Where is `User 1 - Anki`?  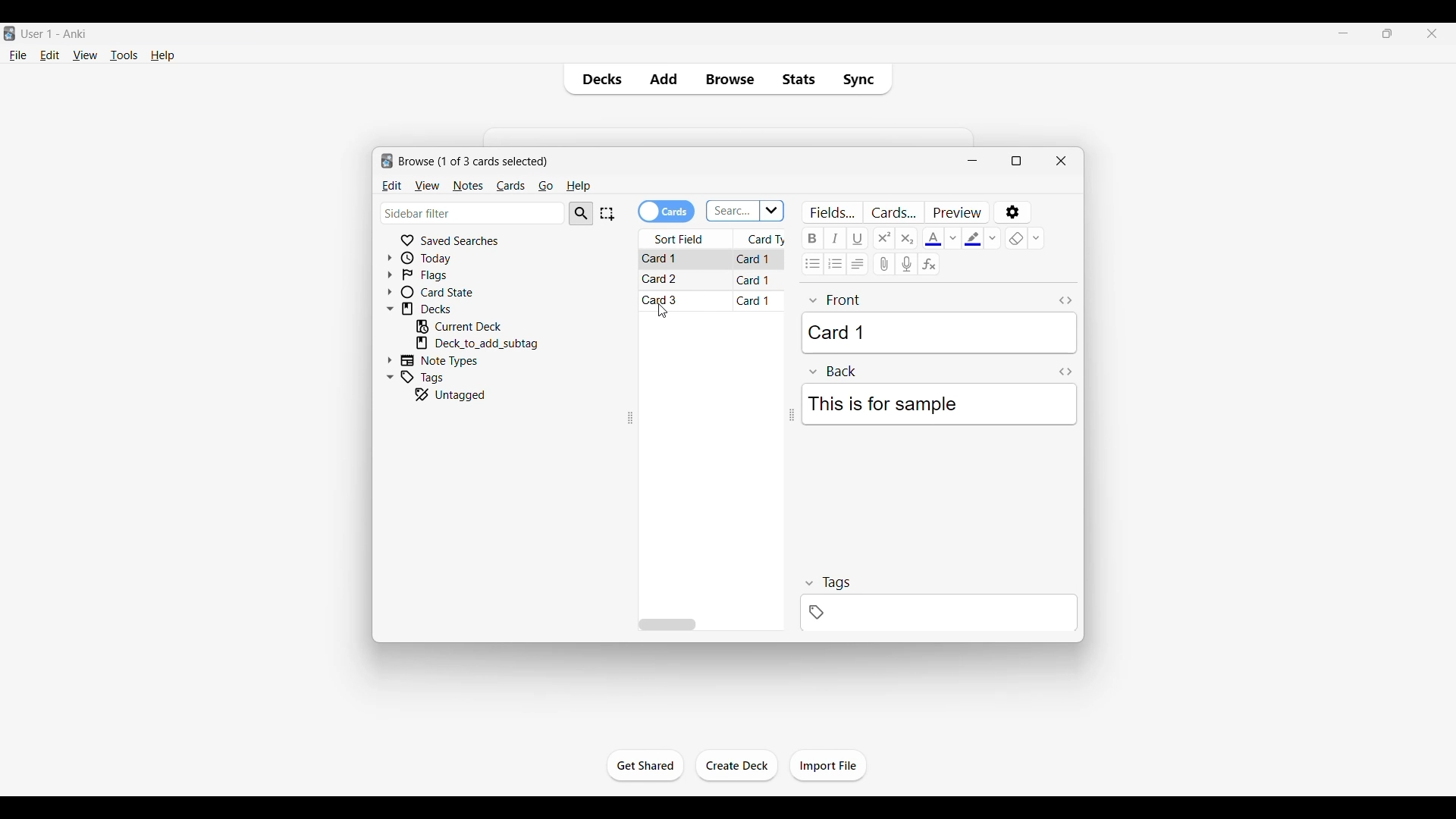
User 1 - Anki is located at coordinates (55, 33).